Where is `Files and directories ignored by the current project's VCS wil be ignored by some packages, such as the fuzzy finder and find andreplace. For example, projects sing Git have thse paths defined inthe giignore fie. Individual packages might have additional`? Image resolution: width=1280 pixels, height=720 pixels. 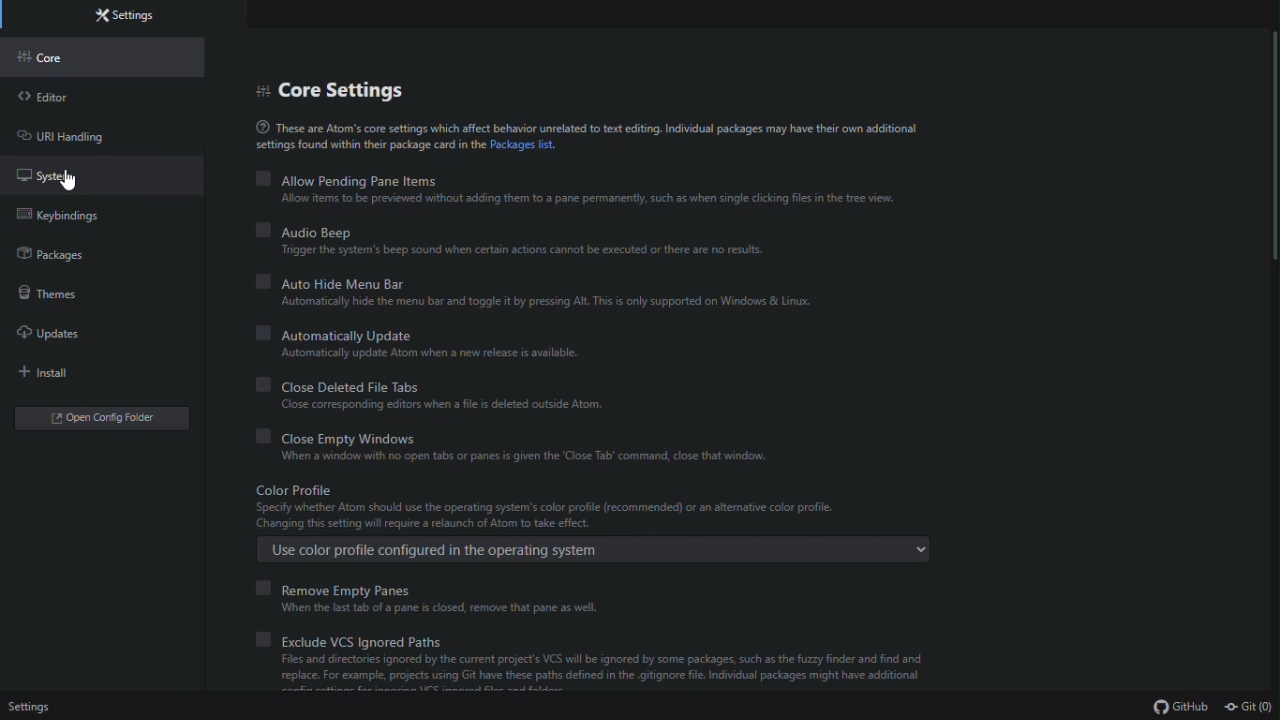
Files and directories ignored by the current project's VCS wil be ignored by some packages, such as the fuzzy finder and find andreplace. For example, projects sing Git have thse paths defined inthe giignore fie. Individual packages might have additional is located at coordinates (630, 677).